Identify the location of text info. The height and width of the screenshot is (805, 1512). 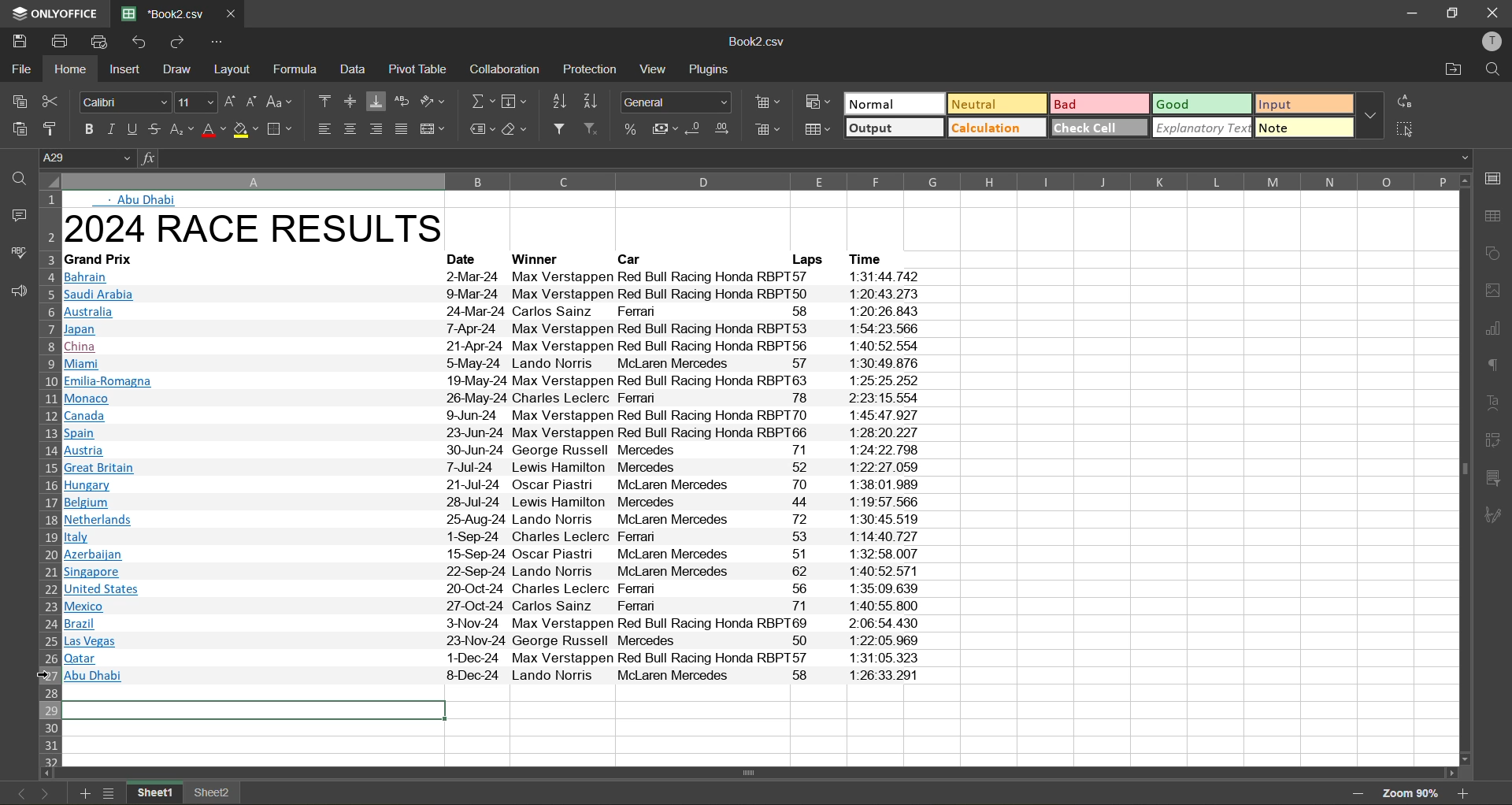
(502, 467).